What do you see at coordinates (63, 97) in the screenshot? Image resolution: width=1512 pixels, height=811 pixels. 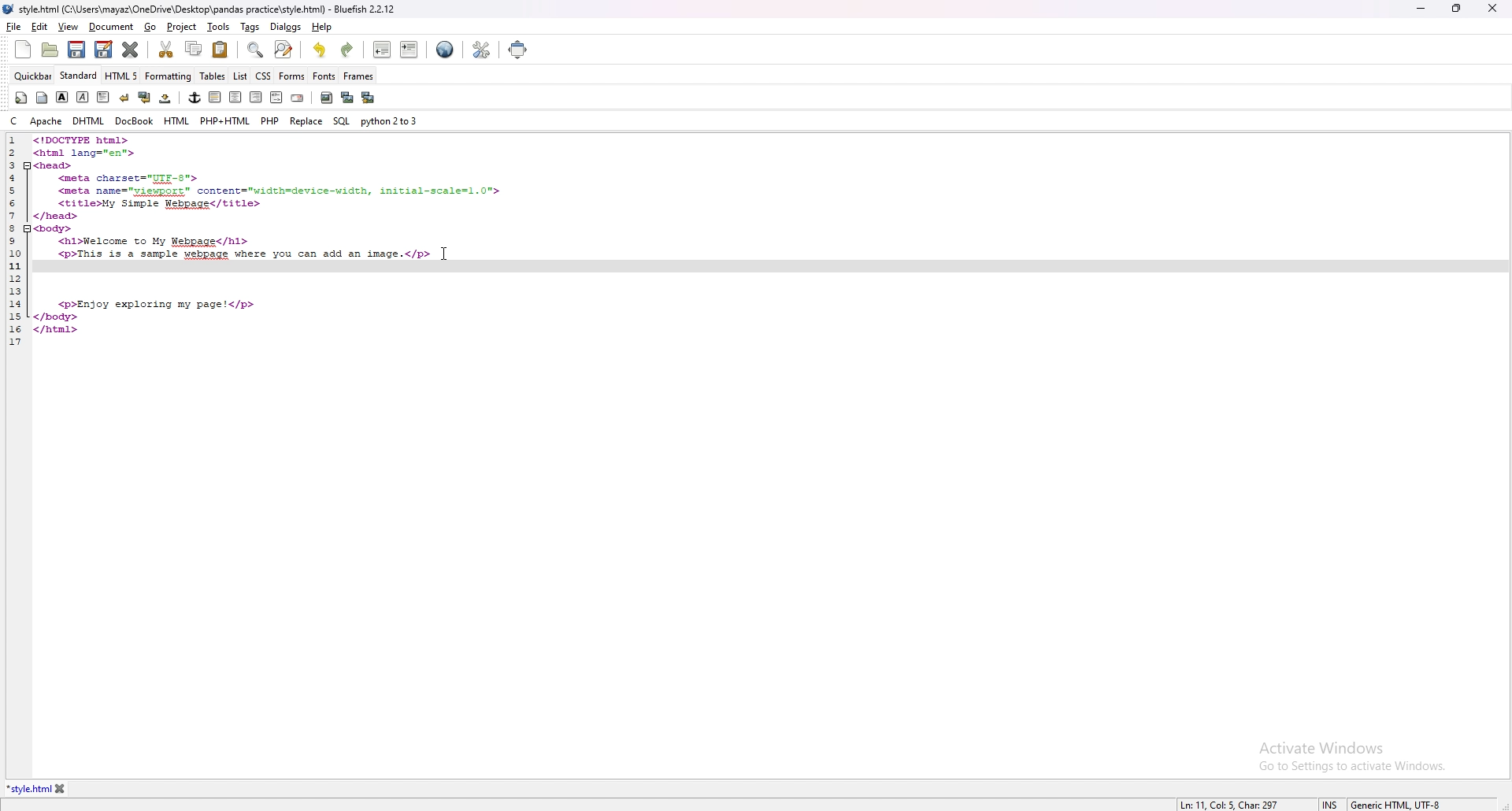 I see `bold` at bounding box center [63, 97].